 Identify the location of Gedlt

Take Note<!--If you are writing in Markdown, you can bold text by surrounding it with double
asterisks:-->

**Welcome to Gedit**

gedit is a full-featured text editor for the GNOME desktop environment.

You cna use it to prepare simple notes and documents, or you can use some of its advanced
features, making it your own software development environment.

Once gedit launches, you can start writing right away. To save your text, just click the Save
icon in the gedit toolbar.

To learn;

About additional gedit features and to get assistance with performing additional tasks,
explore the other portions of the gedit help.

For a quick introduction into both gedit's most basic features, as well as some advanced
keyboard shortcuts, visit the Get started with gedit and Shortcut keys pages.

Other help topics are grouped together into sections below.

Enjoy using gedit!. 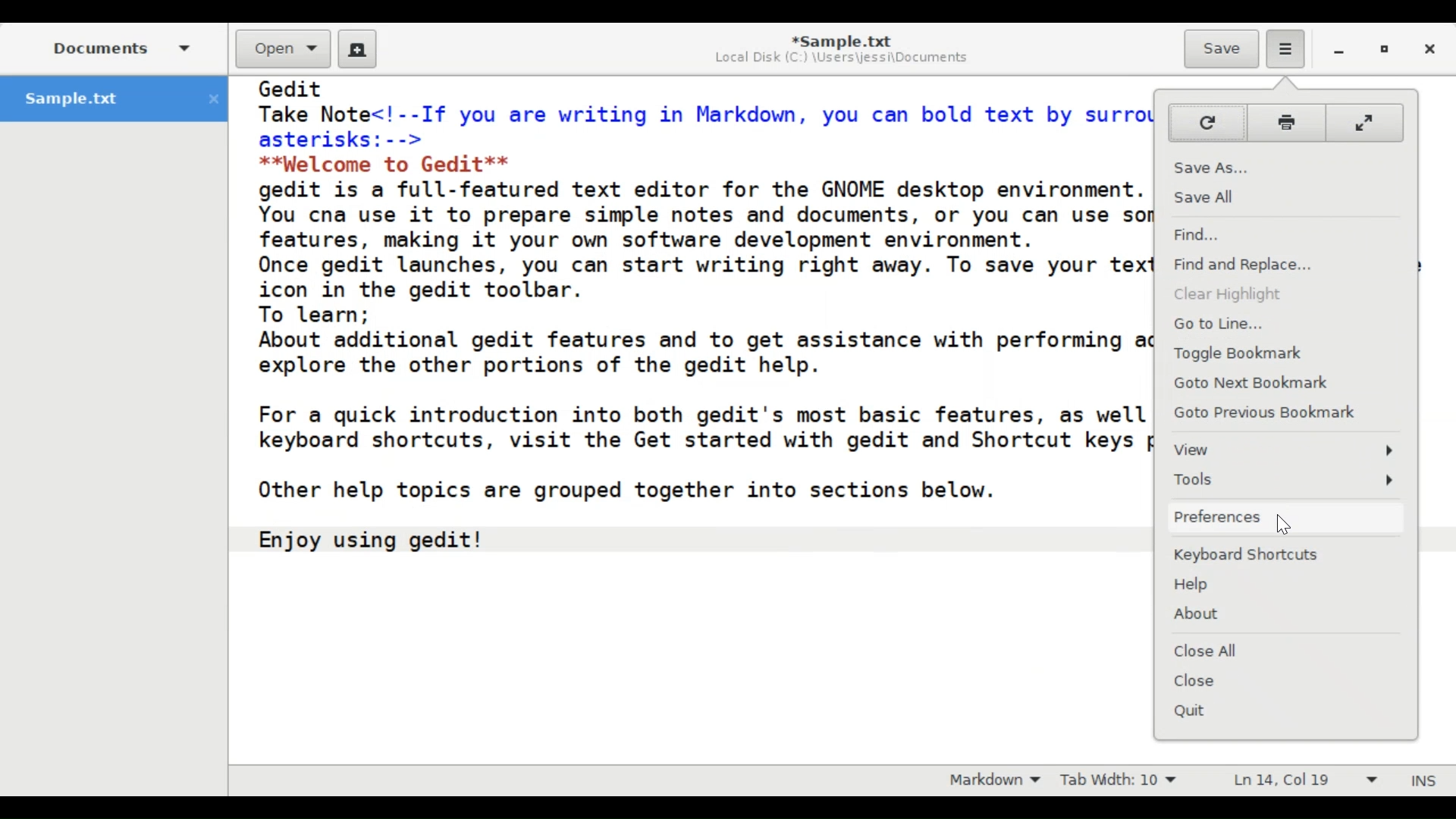
(696, 341).